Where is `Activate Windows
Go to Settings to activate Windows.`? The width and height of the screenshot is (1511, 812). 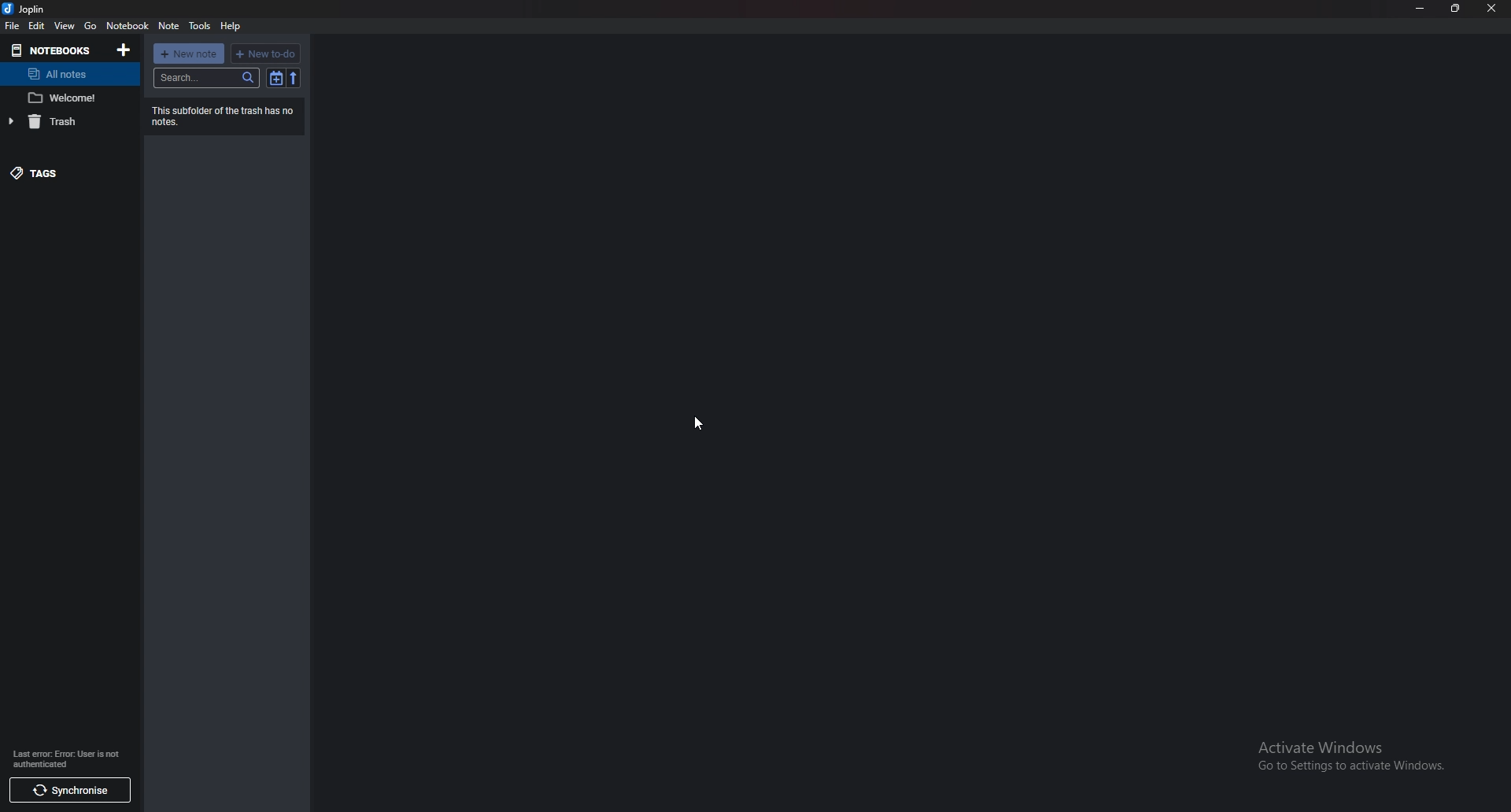 Activate Windows
Go to Settings to activate Windows. is located at coordinates (1351, 754).